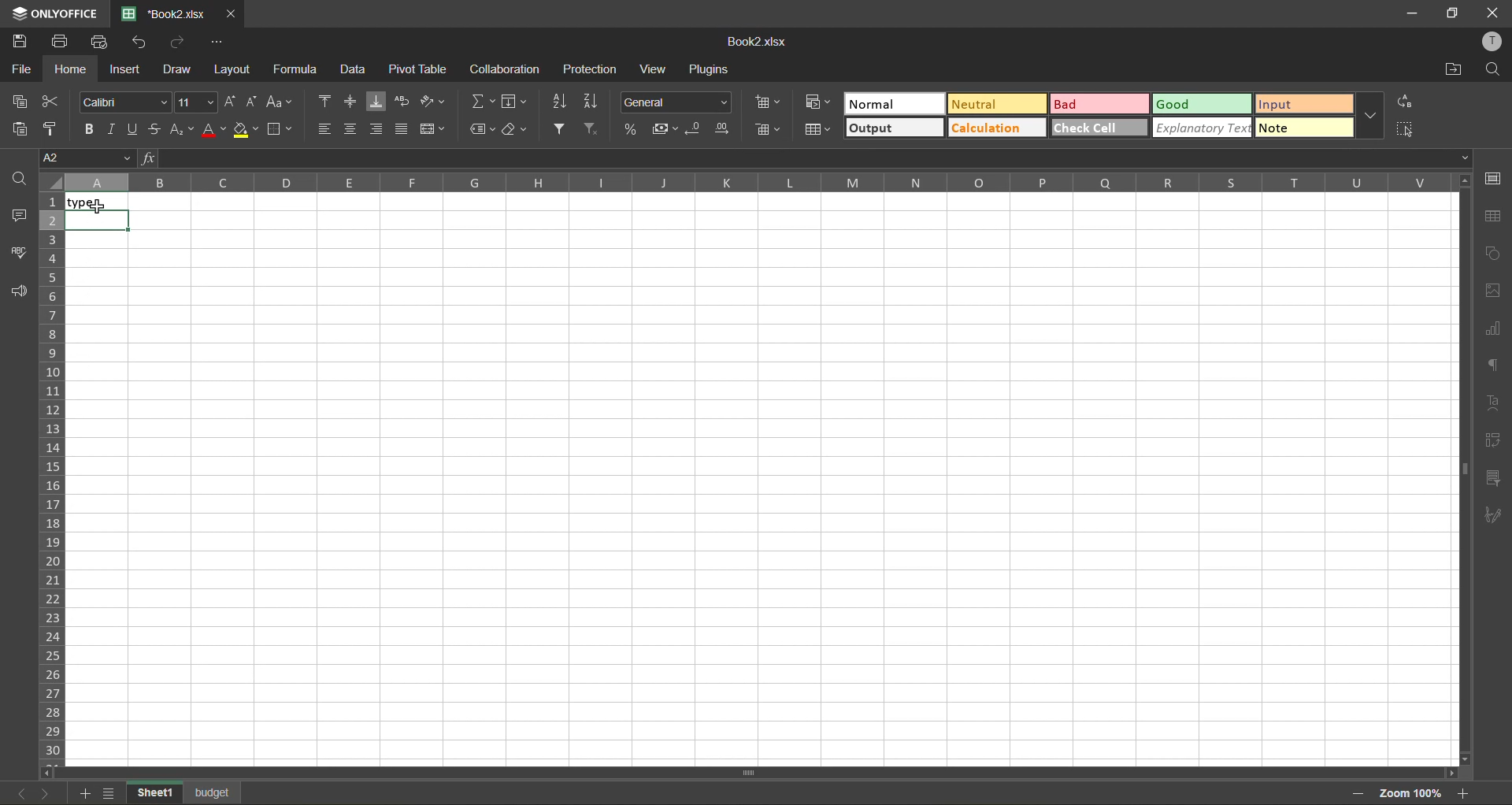 The width and height of the screenshot is (1512, 805). What do you see at coordinates (1497, 517) in the screenshot?
I see `signature` at bounding box center [1497, 517].